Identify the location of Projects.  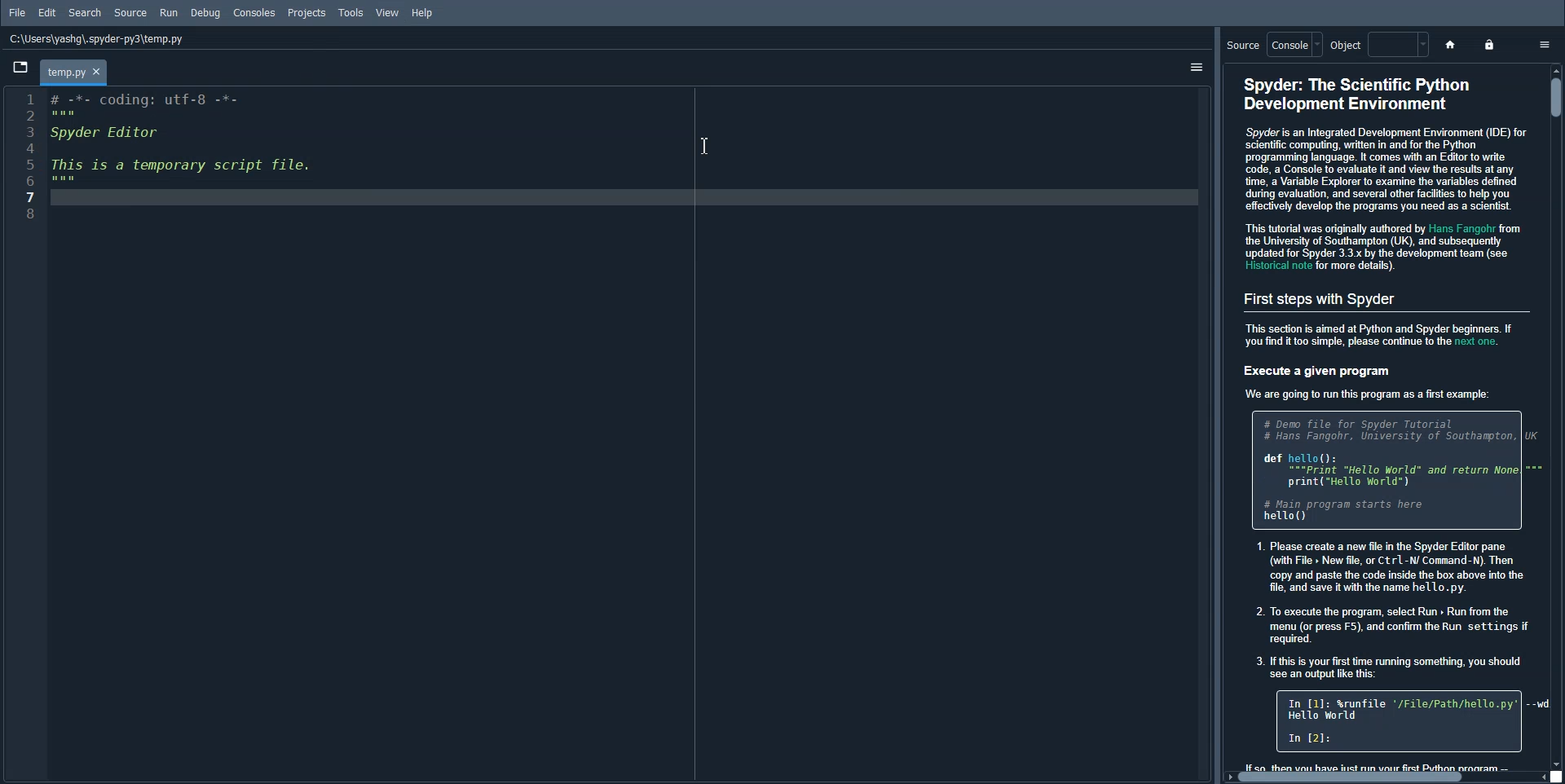
(309, 13).